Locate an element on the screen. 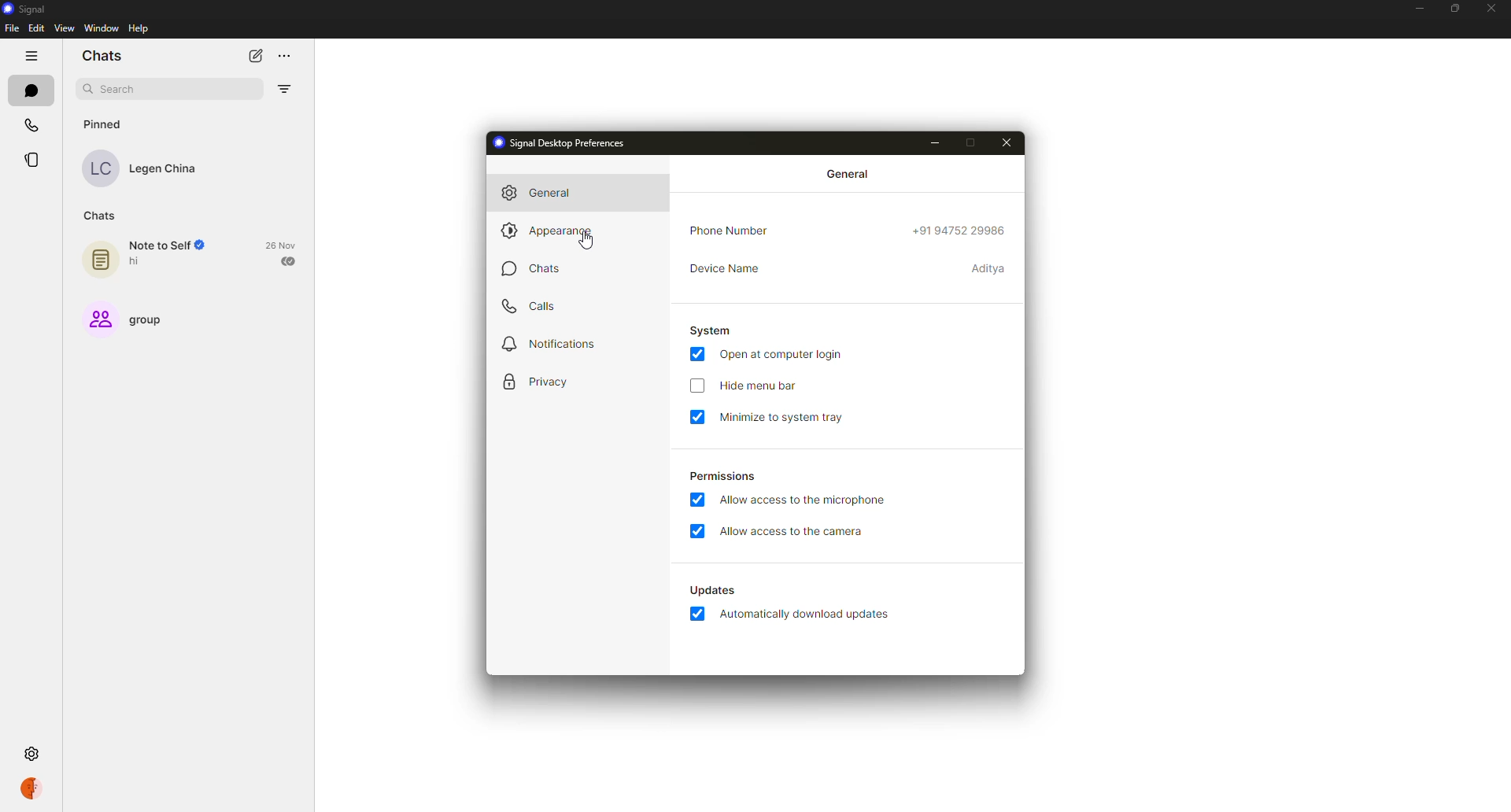  edit is located at coordinates (36, 28).